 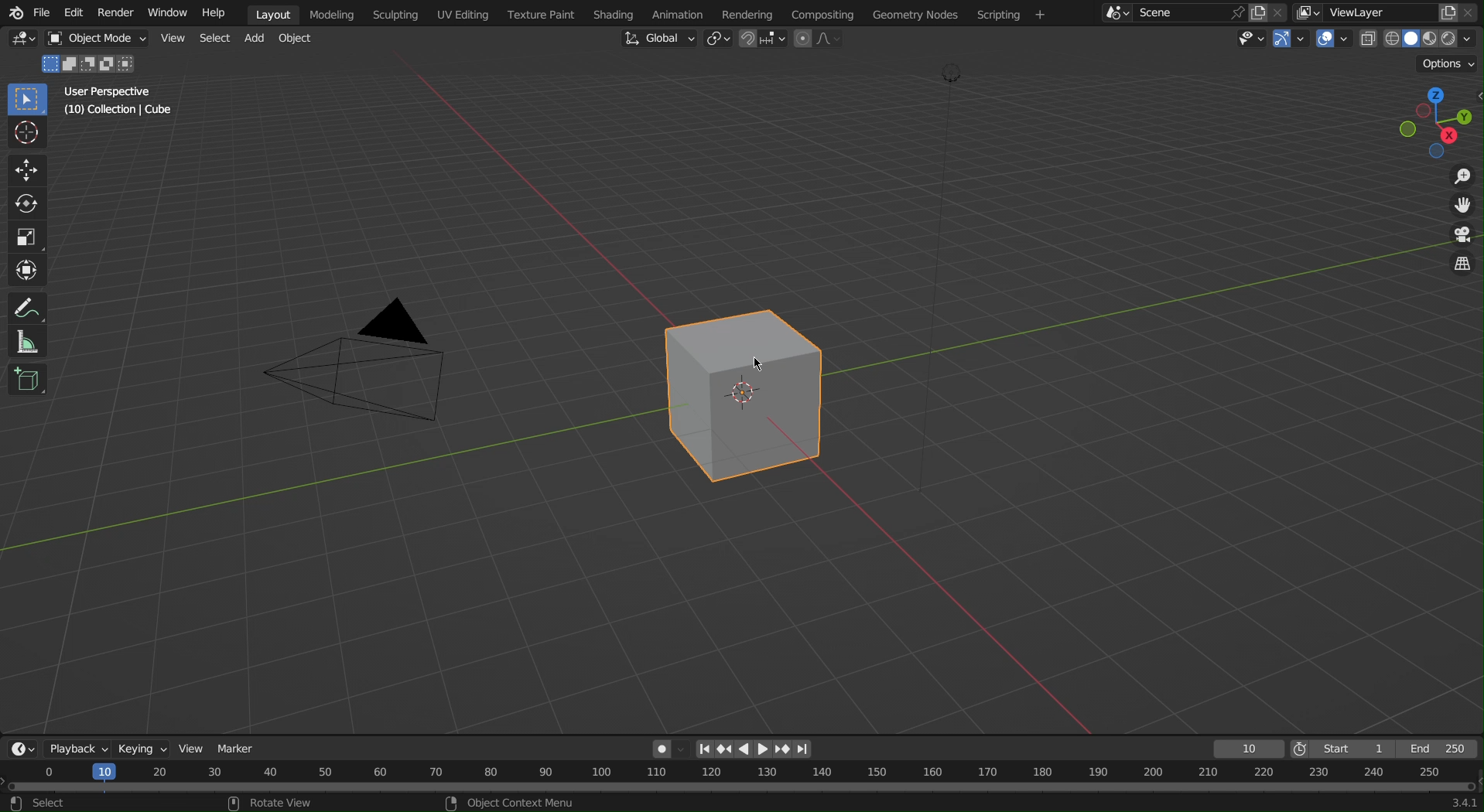 I want to click on File, so click(x=41, y=12).